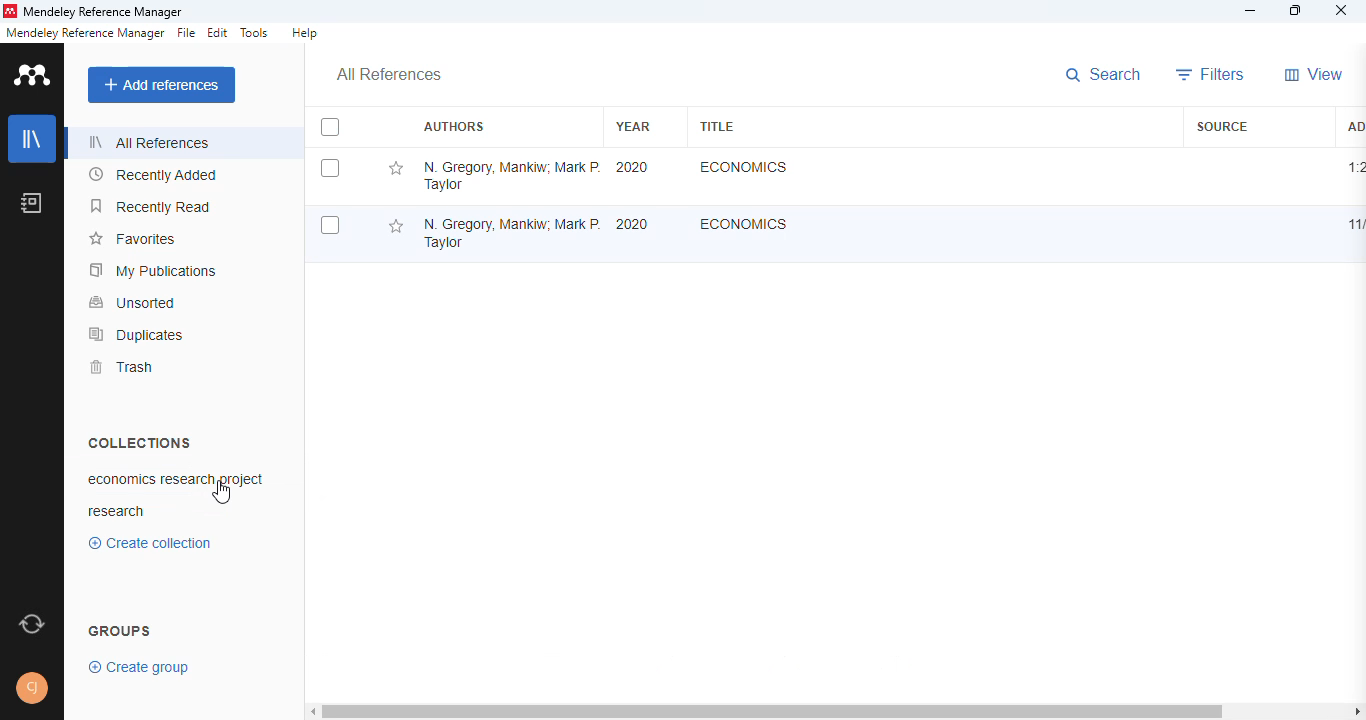 Image resolution: width=1366 pixels, height=720 pixels. Describe the element at coordinates (716, 126) in the screenshot. I see `title` at that location.